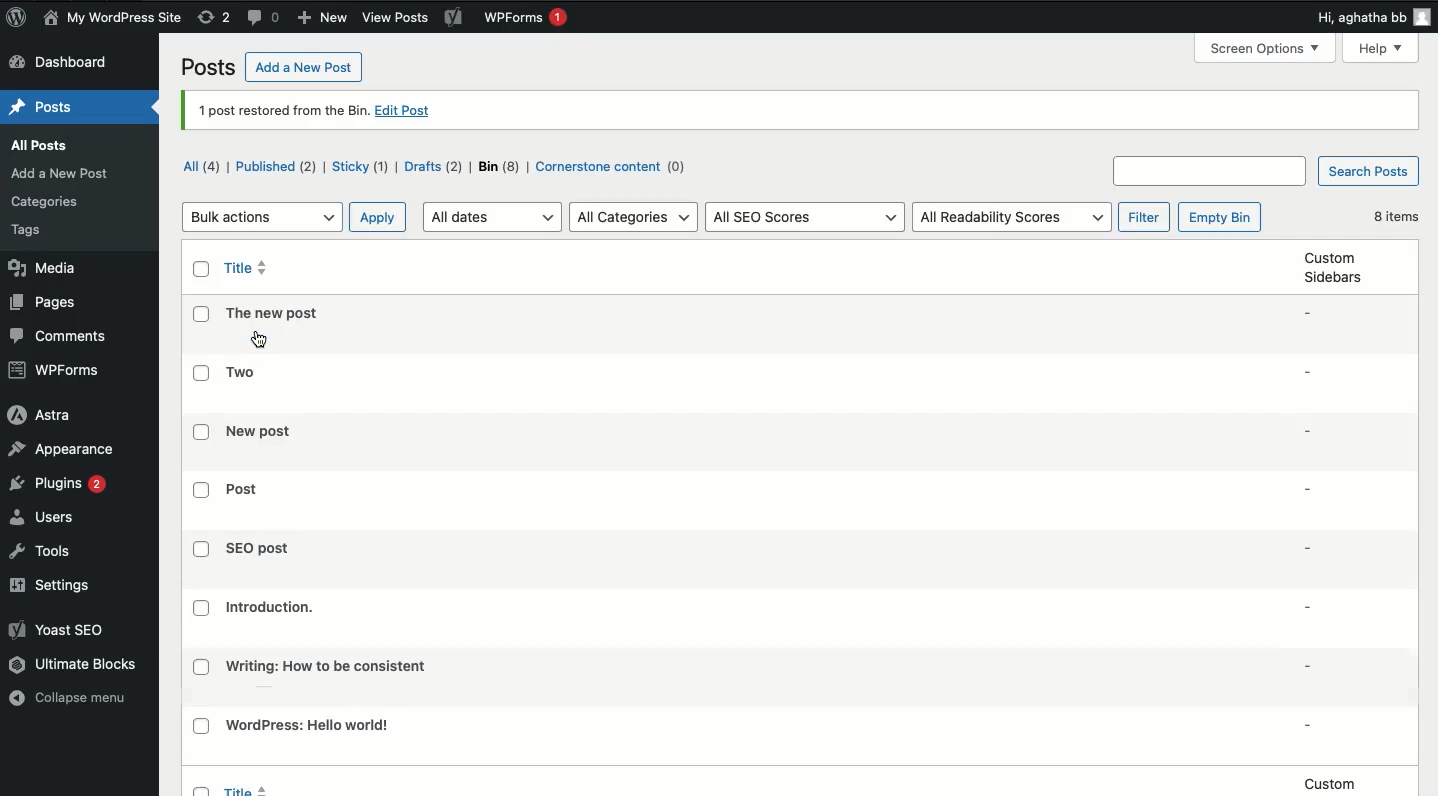 The width and height of the screenshot is (1438, 796). I want to click on Cornerstone content, so click(611, 167).